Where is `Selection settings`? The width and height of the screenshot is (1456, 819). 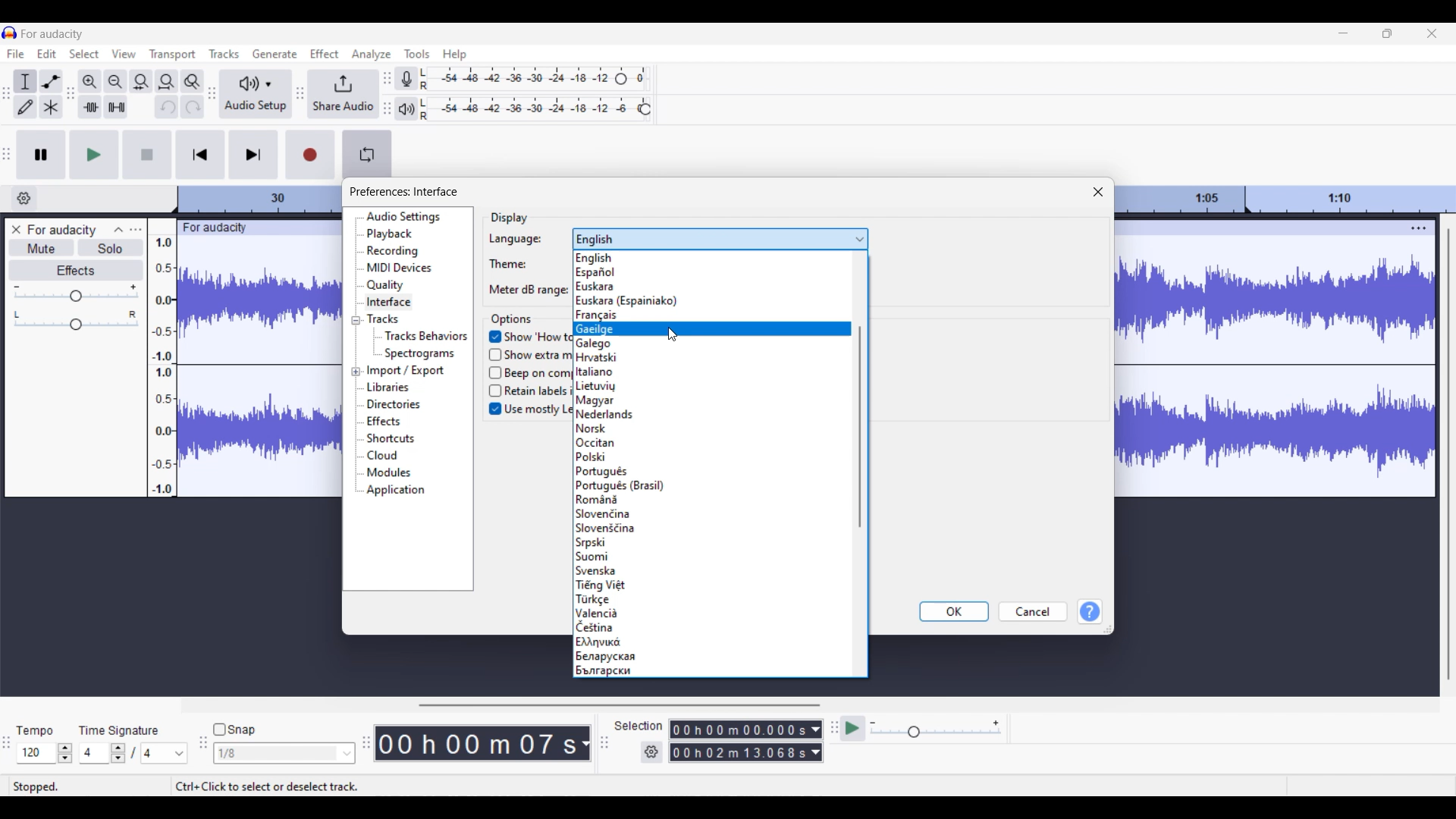 Selection settings is located at coordinates (652, 752).